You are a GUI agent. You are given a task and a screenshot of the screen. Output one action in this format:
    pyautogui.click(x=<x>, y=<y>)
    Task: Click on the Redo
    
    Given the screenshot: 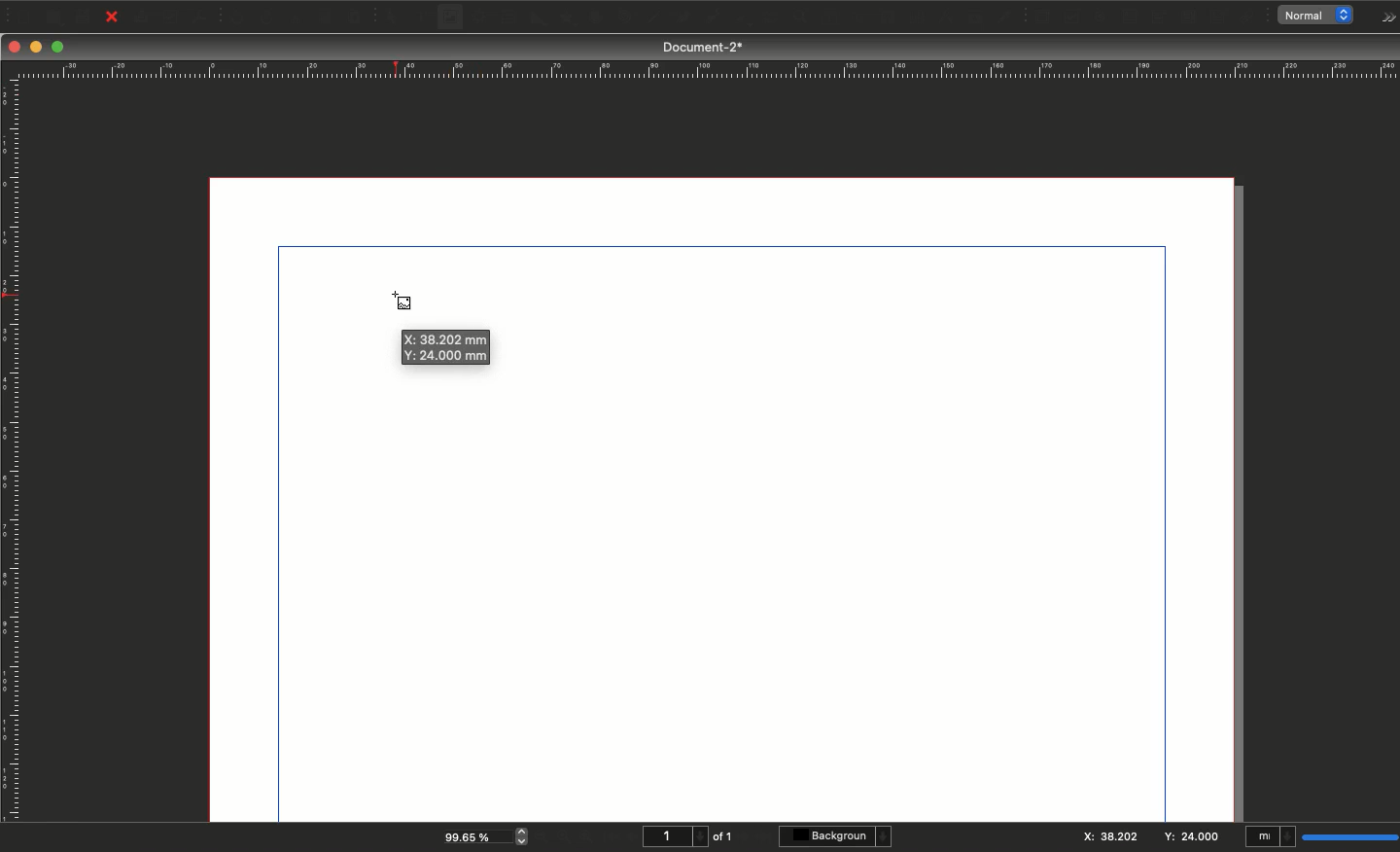 What is the action you would take?
    pyautogui.click(x=267, y=18)
    